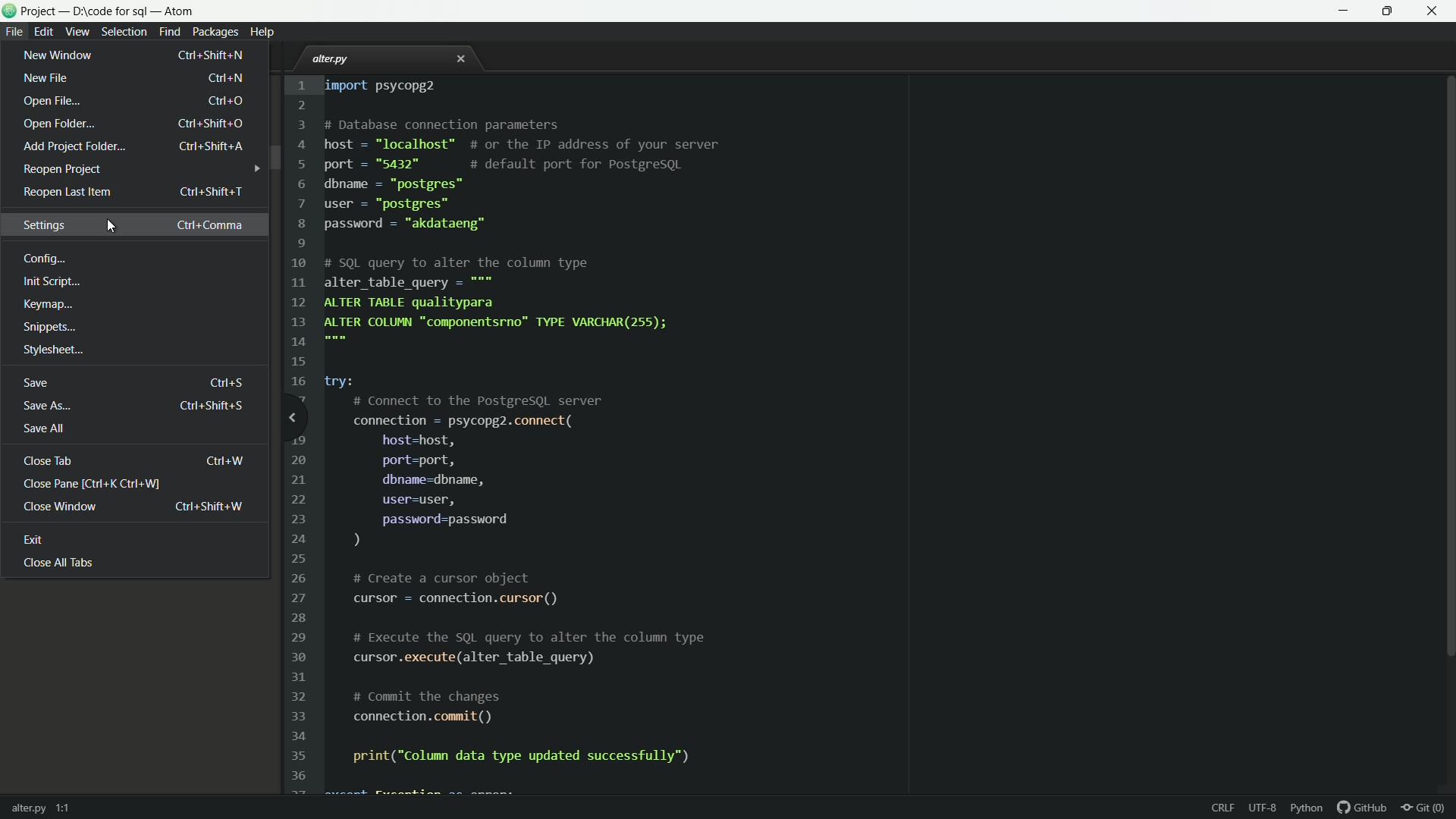 This screenshot has width=1456, height=819. I want to click on close window, so click(133, 508).